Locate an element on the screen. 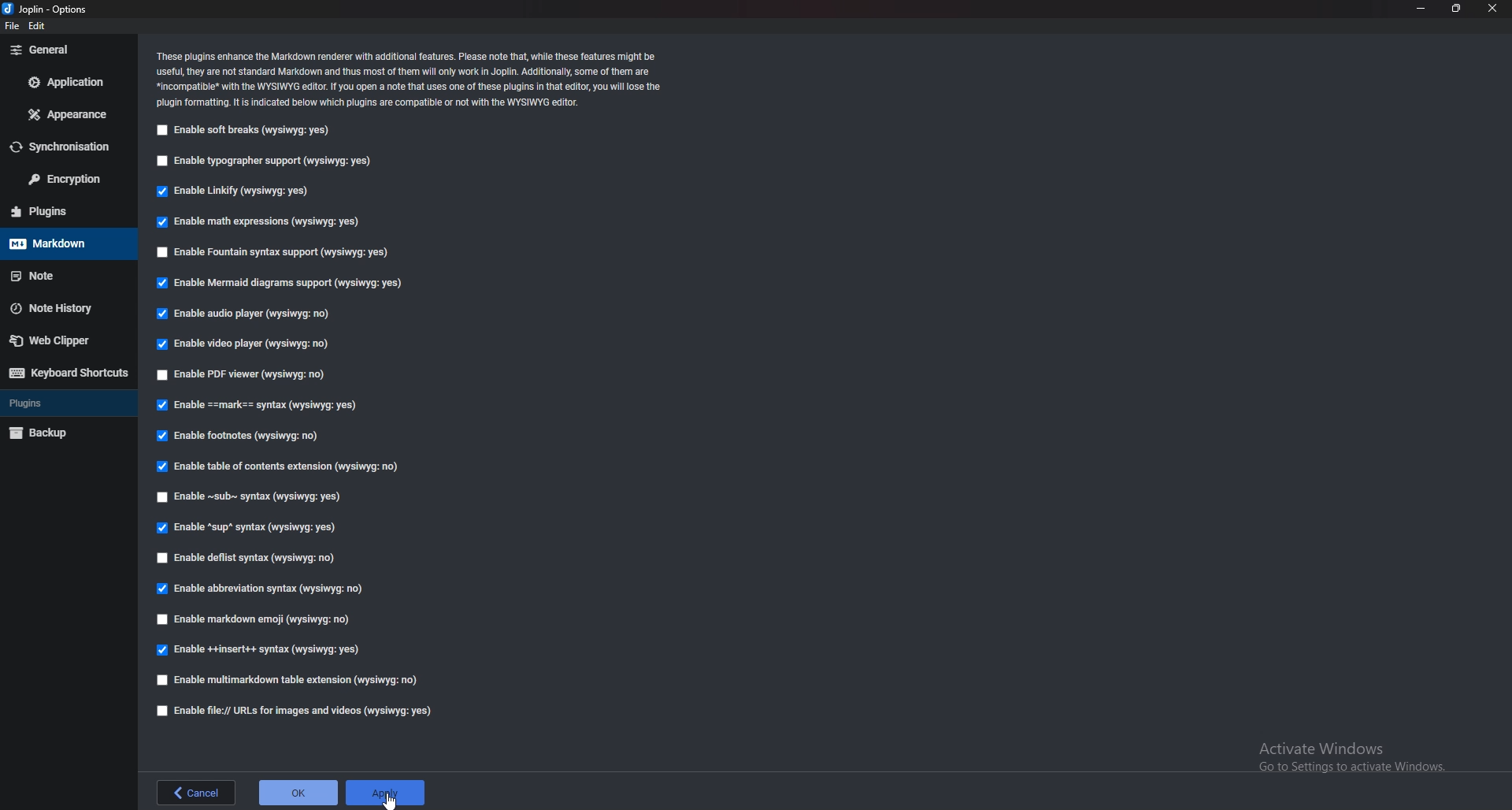  note is located at coordinates (65, 275).